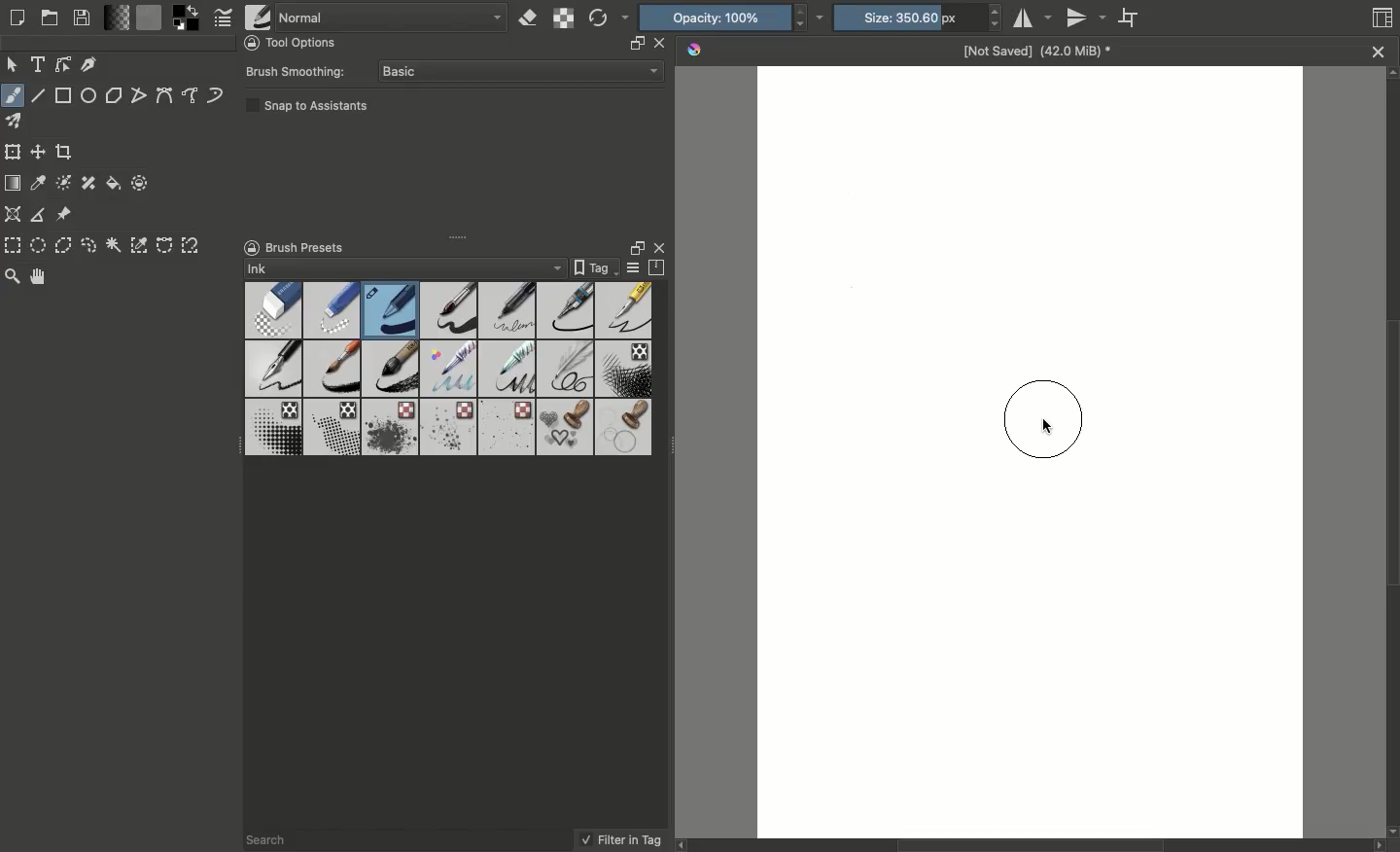 The image size is (1400, 852). I want to click on Polygonal selection tool, so click(64, 244).